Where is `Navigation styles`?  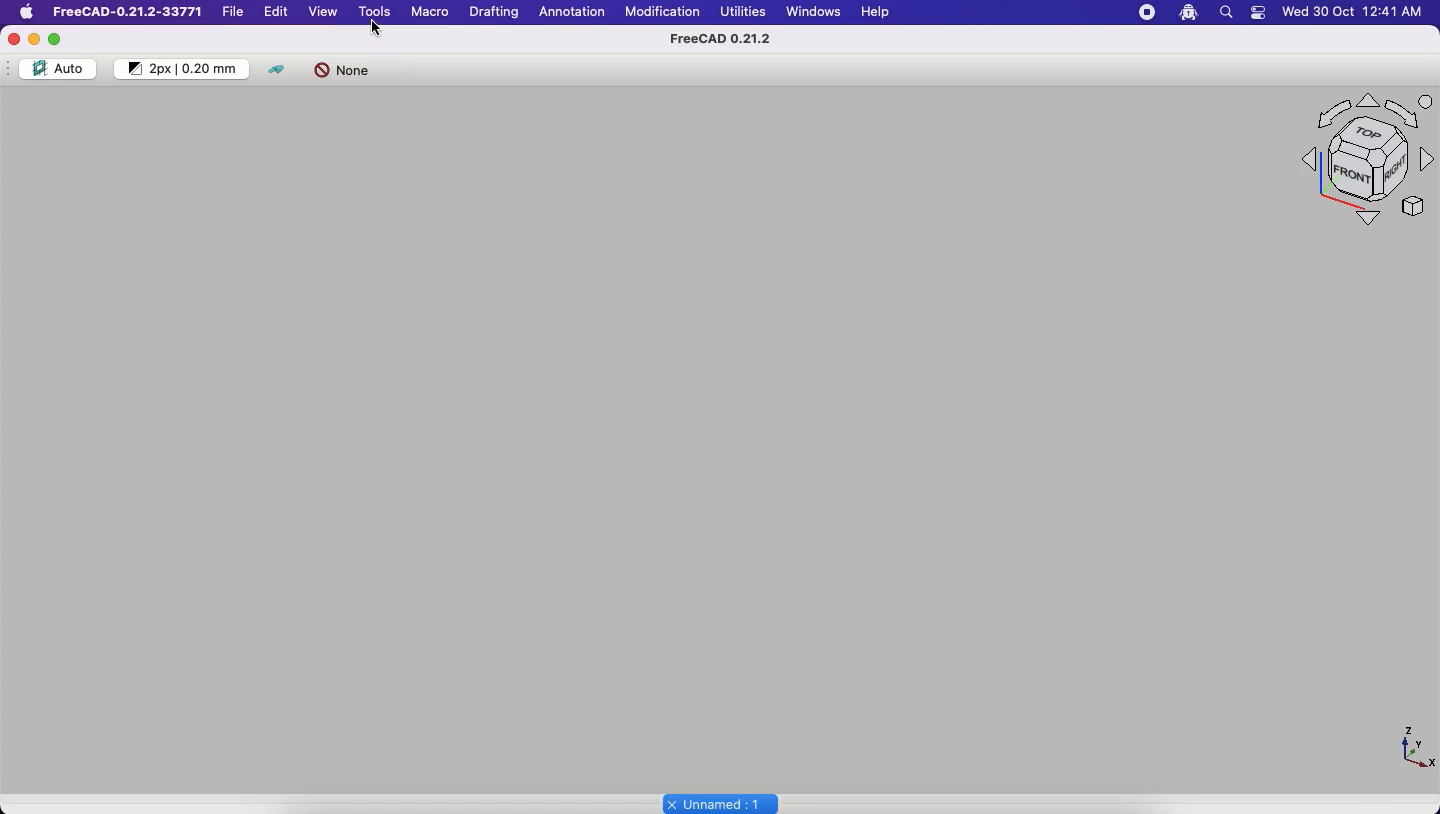
Navigation styles is located at coordinates (1360, 166).